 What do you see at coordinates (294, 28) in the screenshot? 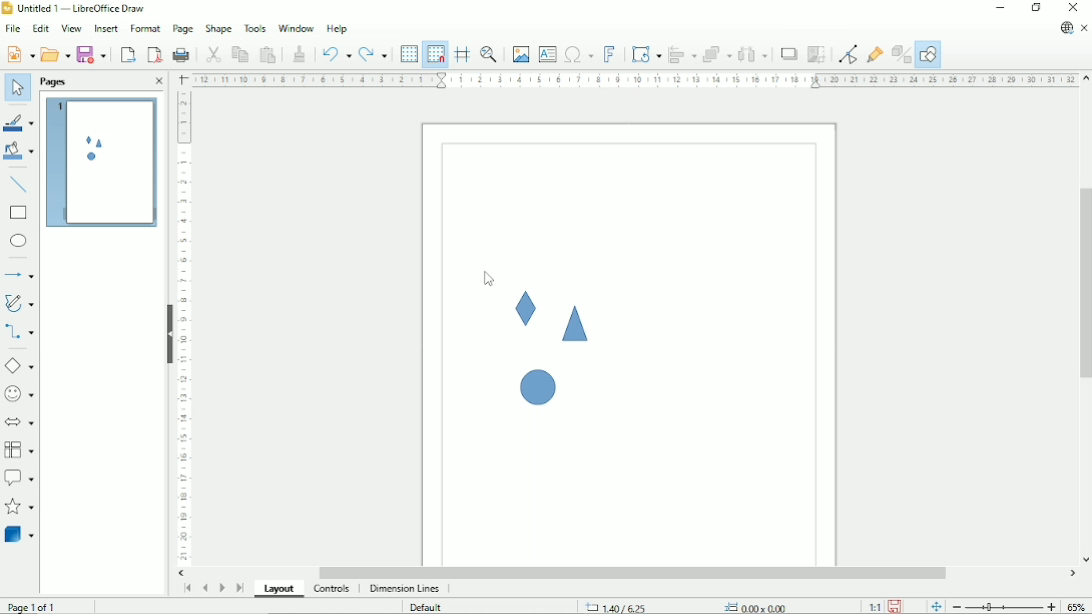
I see `Window` at bounding box center [294, 28].